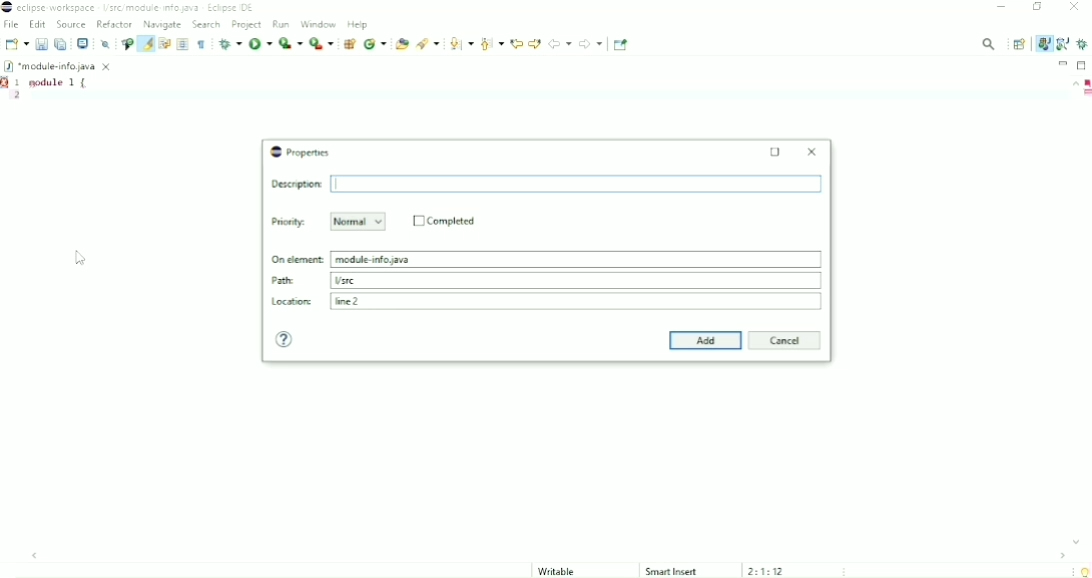 Image resolution: width=1092 pixels, height=578 pixels. What do you see at coordinates (535, 42) in the screenshot?
I see `Next edit location` at bounding box center [535, 42].